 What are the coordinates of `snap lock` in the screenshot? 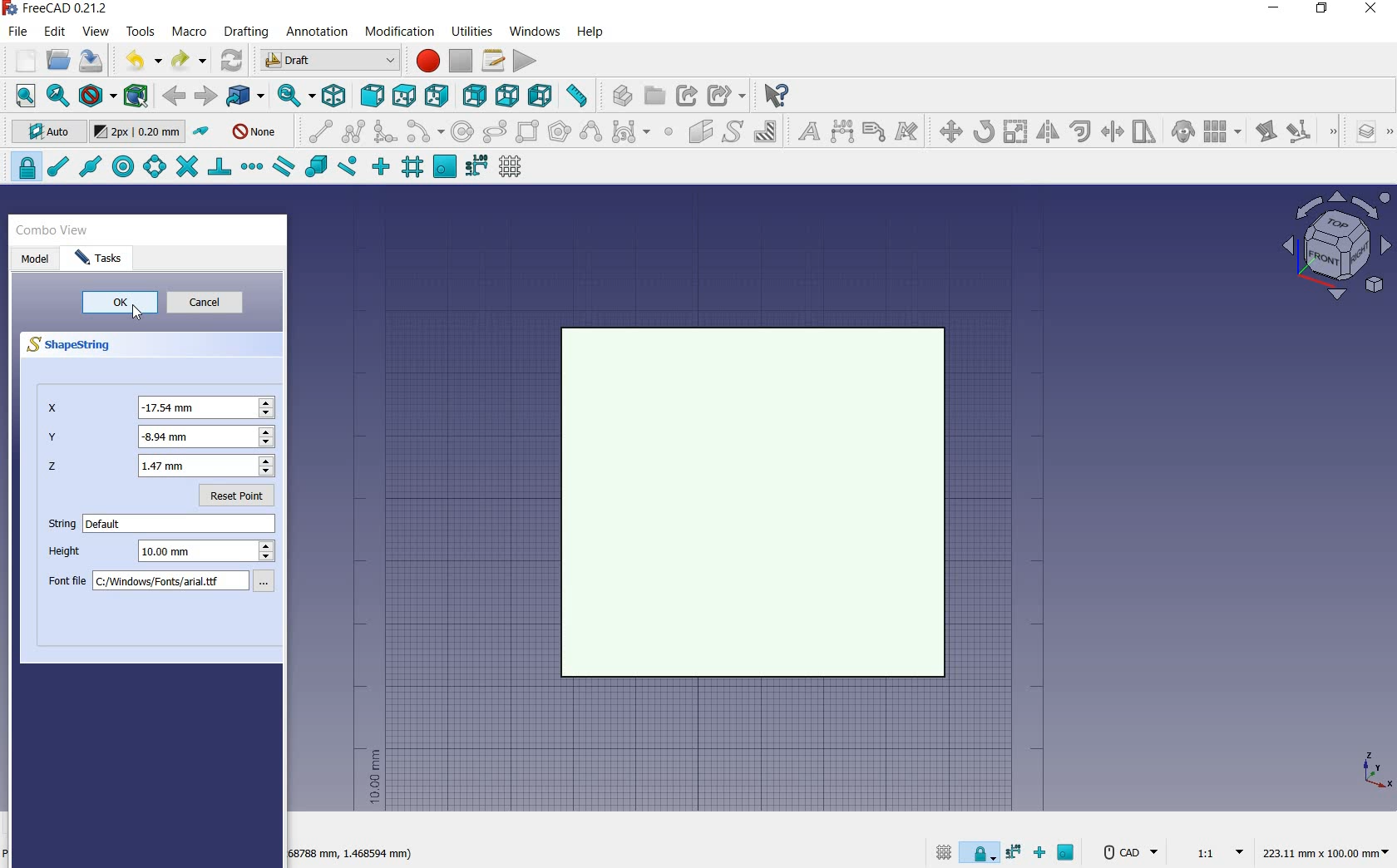 It's located at (981, 849).